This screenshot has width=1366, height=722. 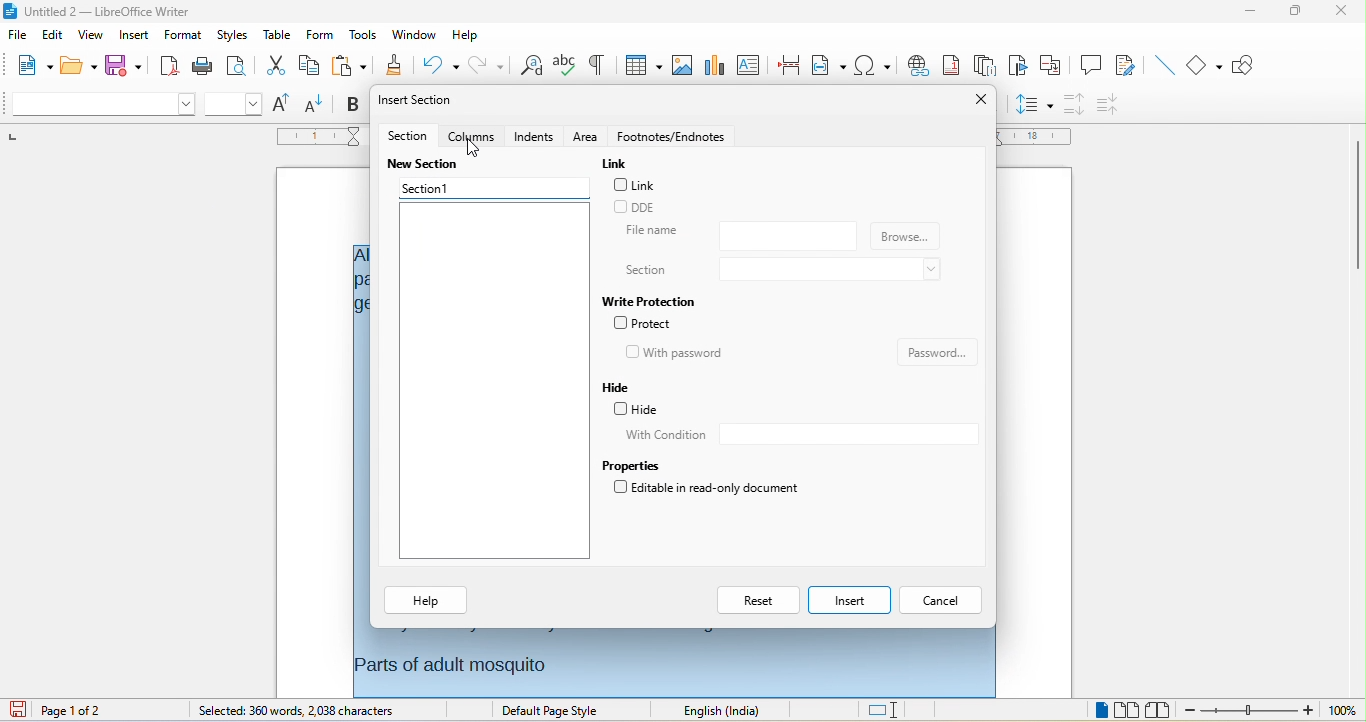 I want to click on decrease size, so click(x=315, y=103).